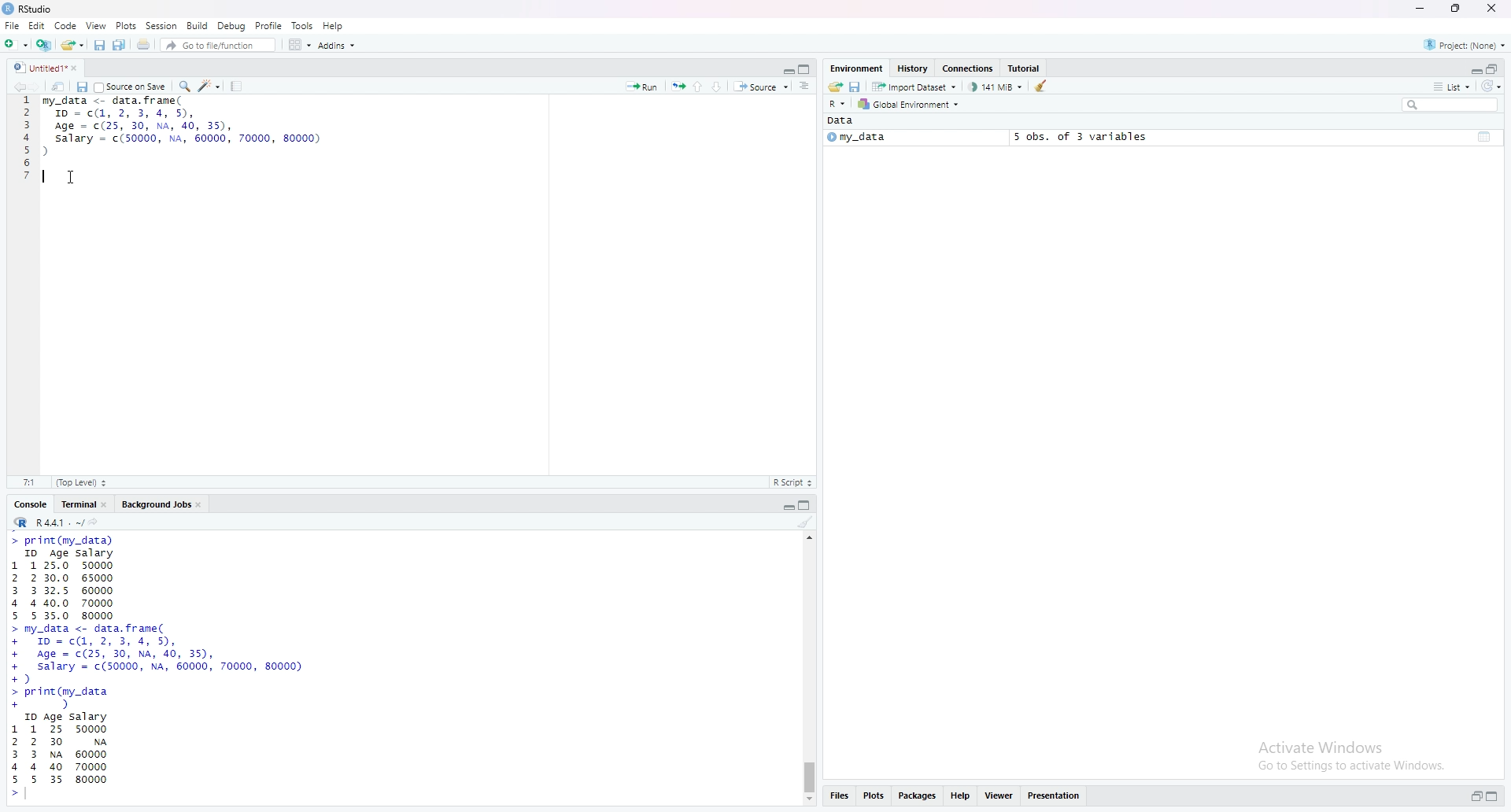 Image resolution: width=1511 pixels, height=812 pixels. What do you see at coordinates (81, 87) in the screenshot?
I see `save current document` at bounding box center [81, 87].